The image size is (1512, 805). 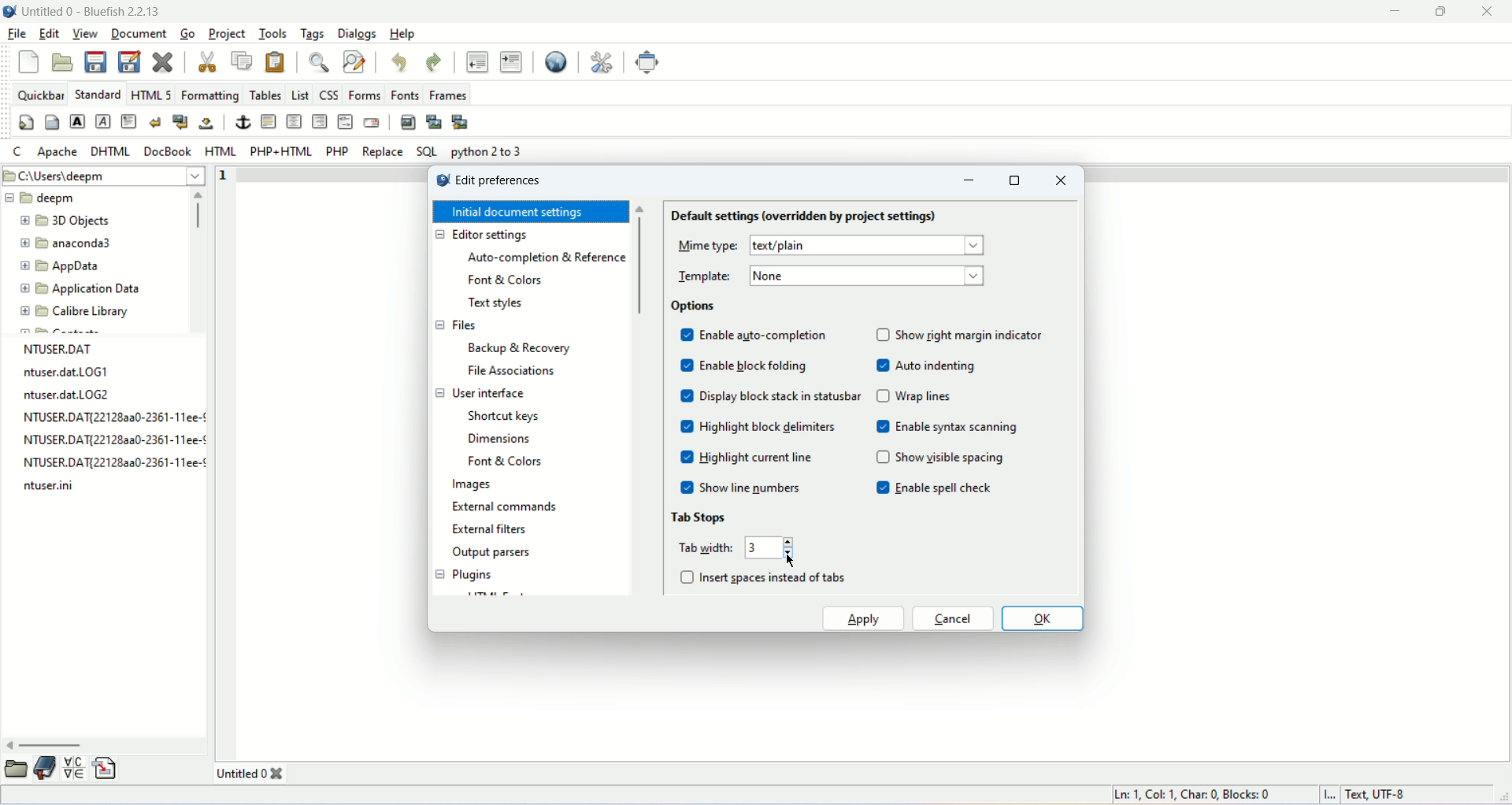 What do you see at coordinates (9, 10) in the screenshot?
I see `logo` at bounding box center [9, 10].